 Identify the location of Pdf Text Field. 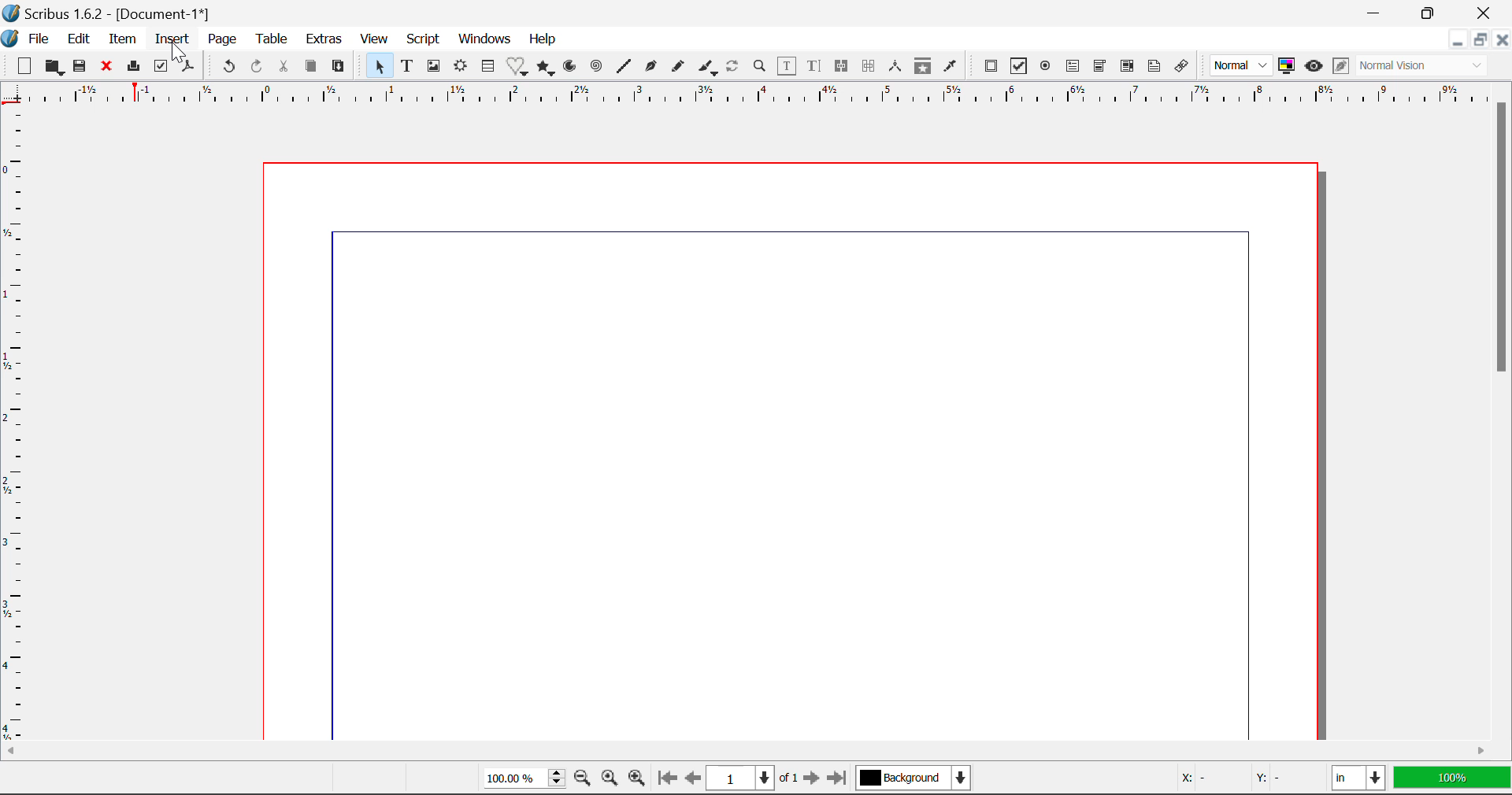
(1073, 68).